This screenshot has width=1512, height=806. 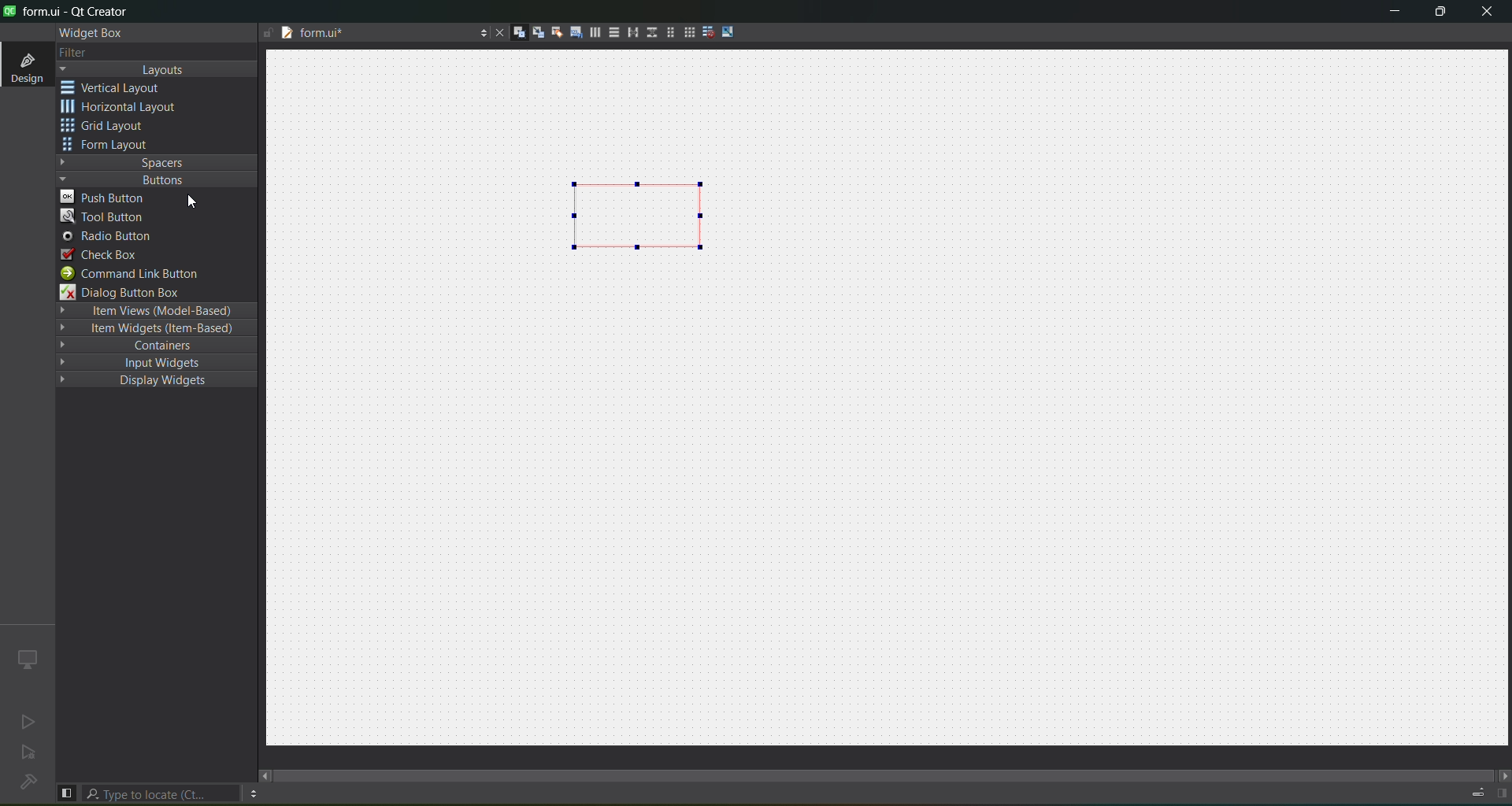 What do you see at coordinates (265, 775) in the screenshot?
I see `move left` at bounding box center [265, 775].